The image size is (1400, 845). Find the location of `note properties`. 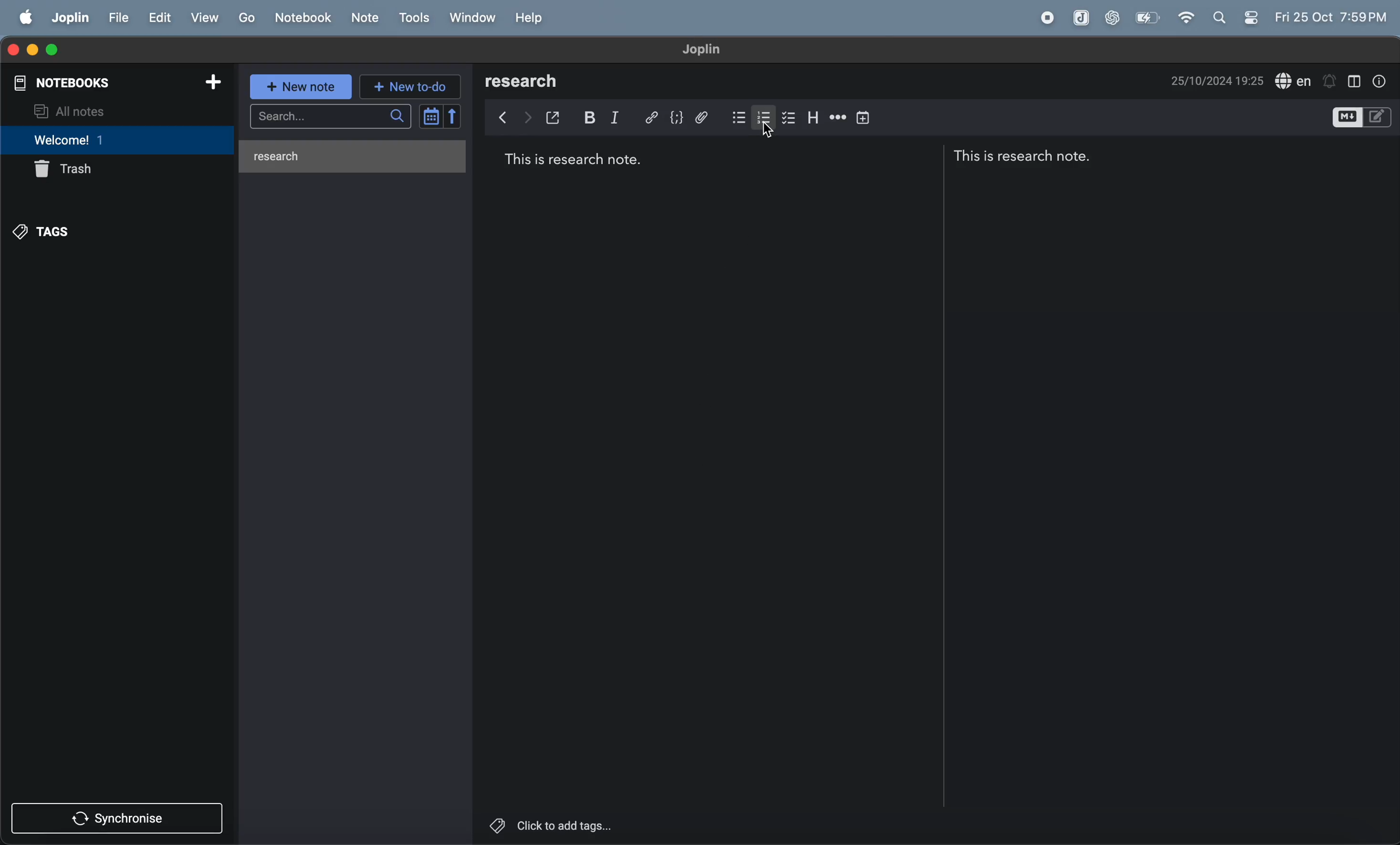

note properties is located at coordinates (1380, 79).